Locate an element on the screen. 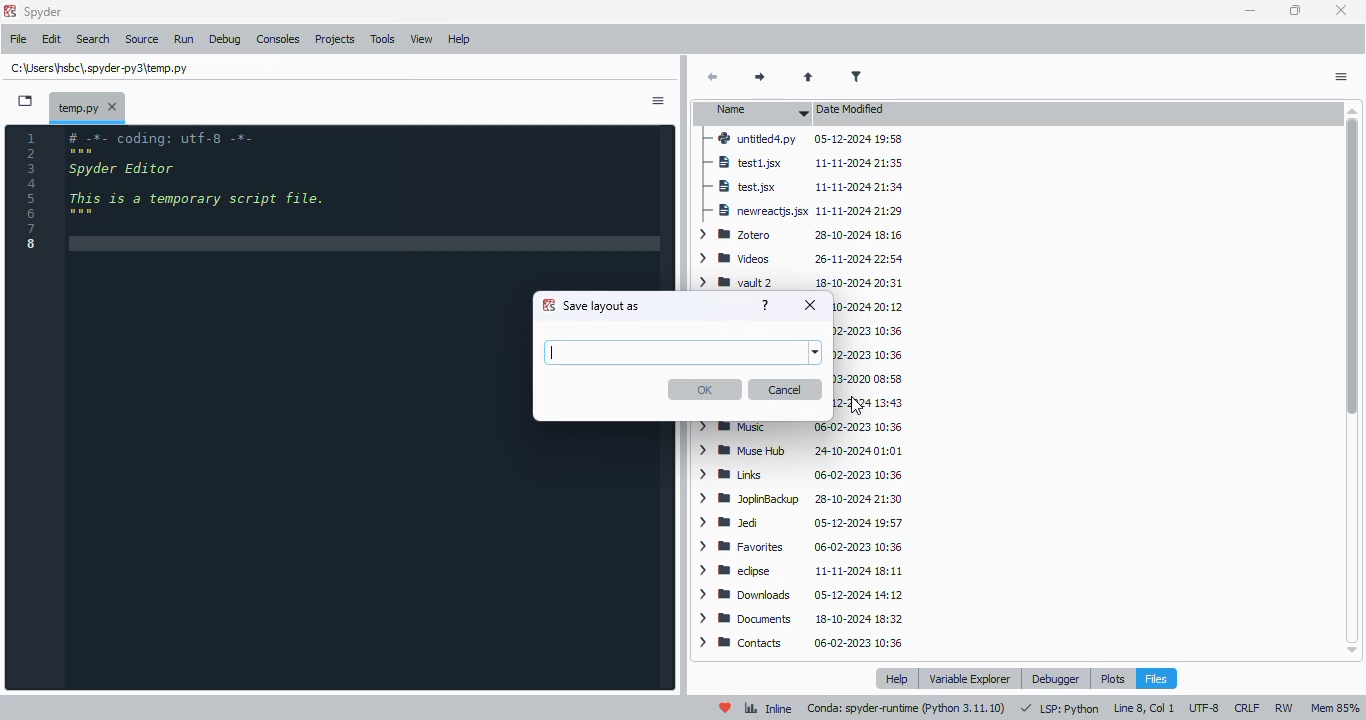  maximize is located at coordinates (1295, 10).